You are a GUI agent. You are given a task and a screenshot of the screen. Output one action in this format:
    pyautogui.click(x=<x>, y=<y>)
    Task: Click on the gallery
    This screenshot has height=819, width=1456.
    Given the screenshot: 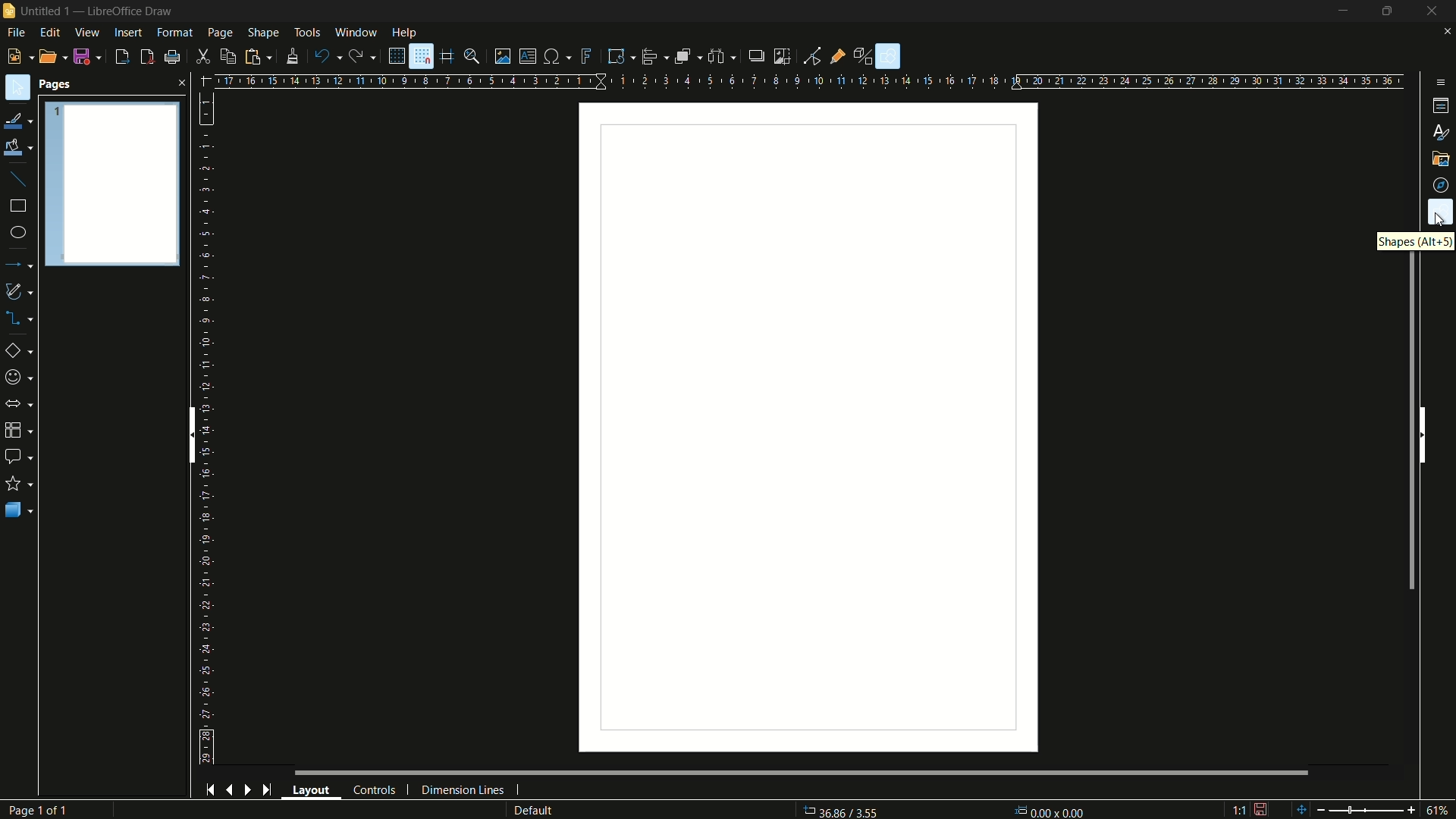 What is the action you would take?
    pyautogui.click(x=1442, y=159)
    